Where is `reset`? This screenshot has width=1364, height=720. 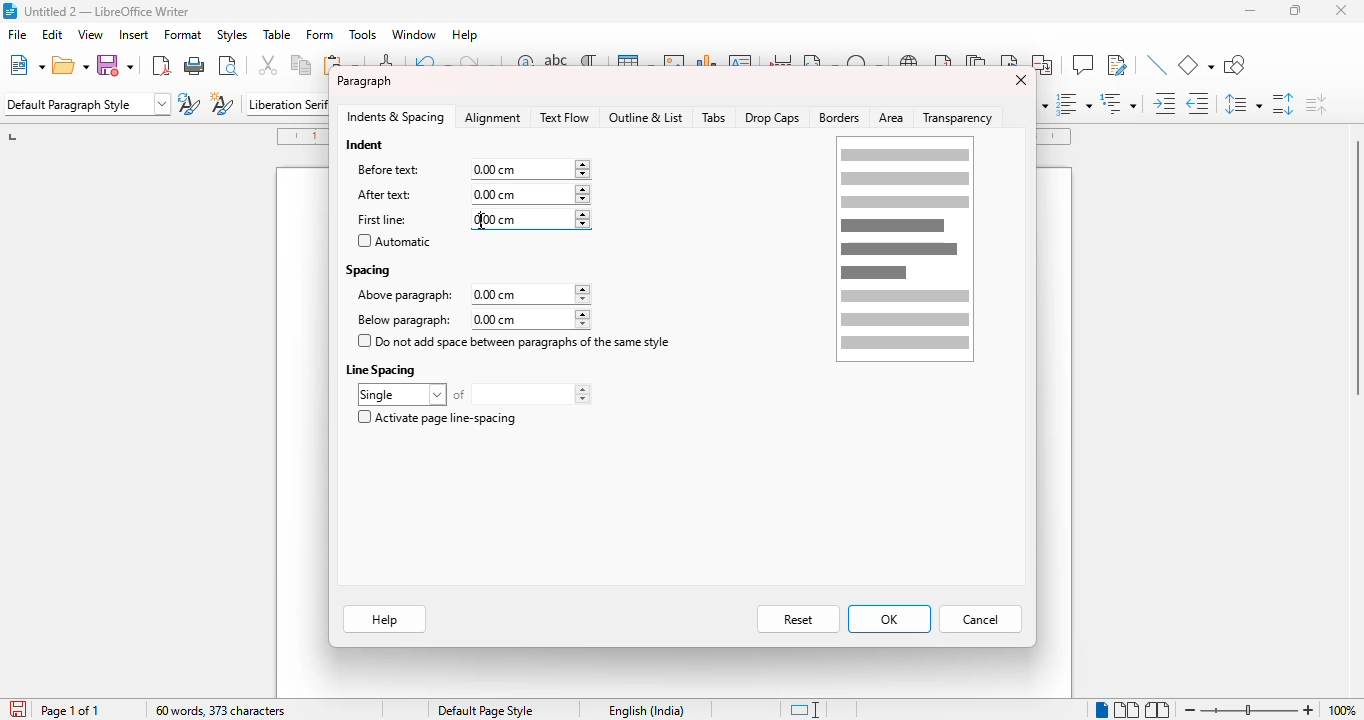 reset is located at coordinates (798, 620).